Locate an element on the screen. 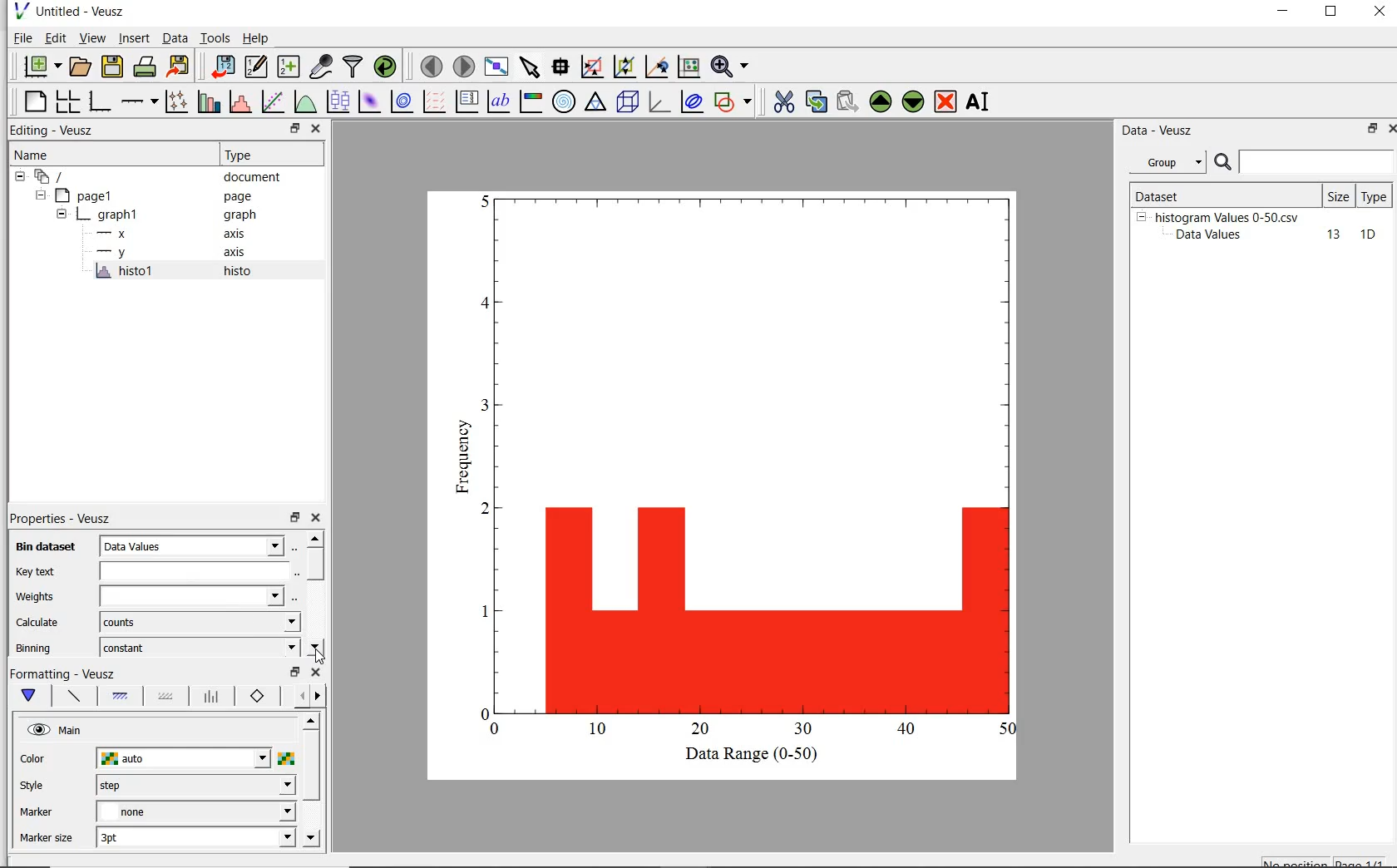  zoom functions menu is located at coordinates (730, 67).